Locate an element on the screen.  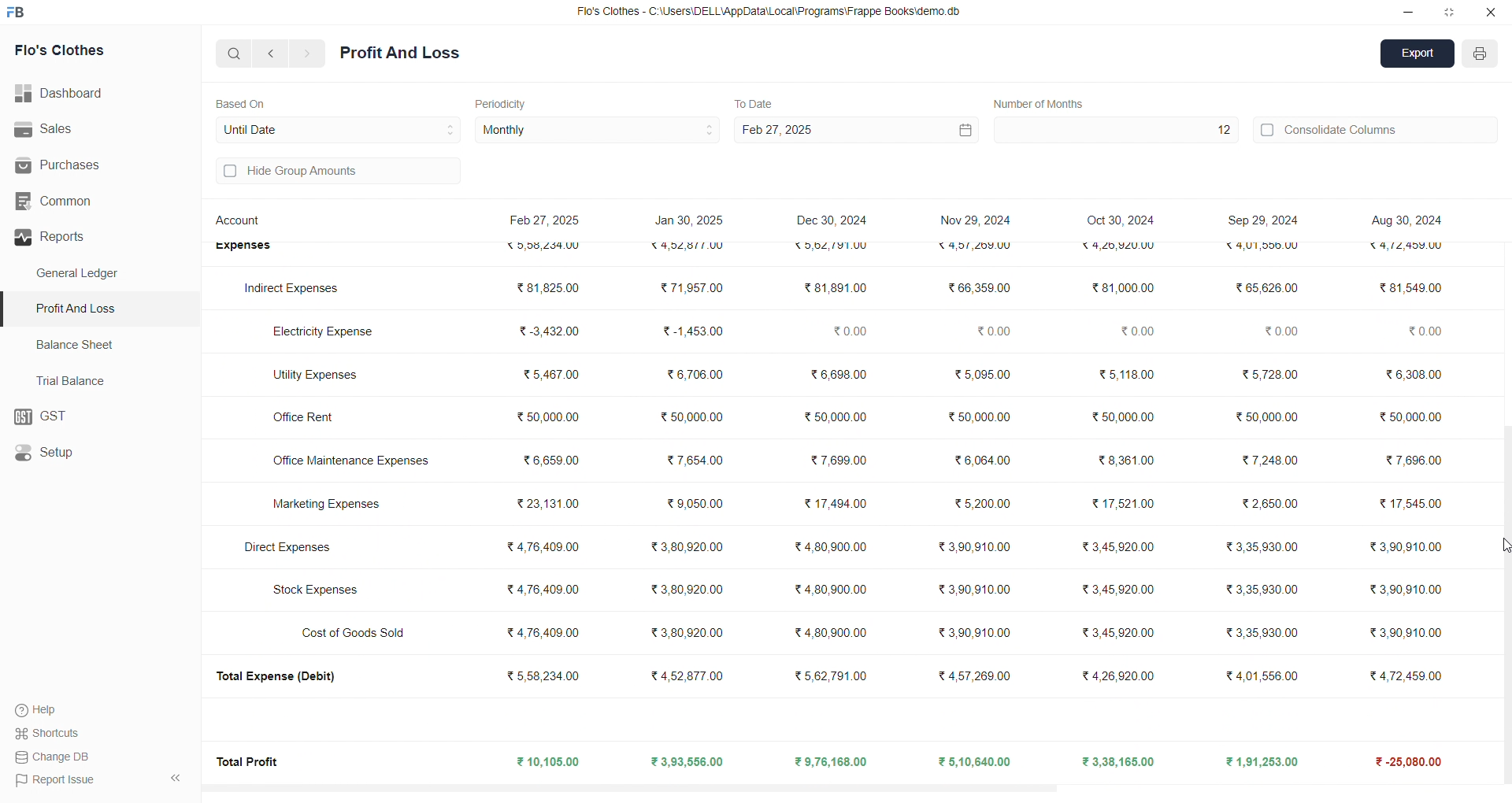
Indirect Expenses is located at coordinates (293, 289).